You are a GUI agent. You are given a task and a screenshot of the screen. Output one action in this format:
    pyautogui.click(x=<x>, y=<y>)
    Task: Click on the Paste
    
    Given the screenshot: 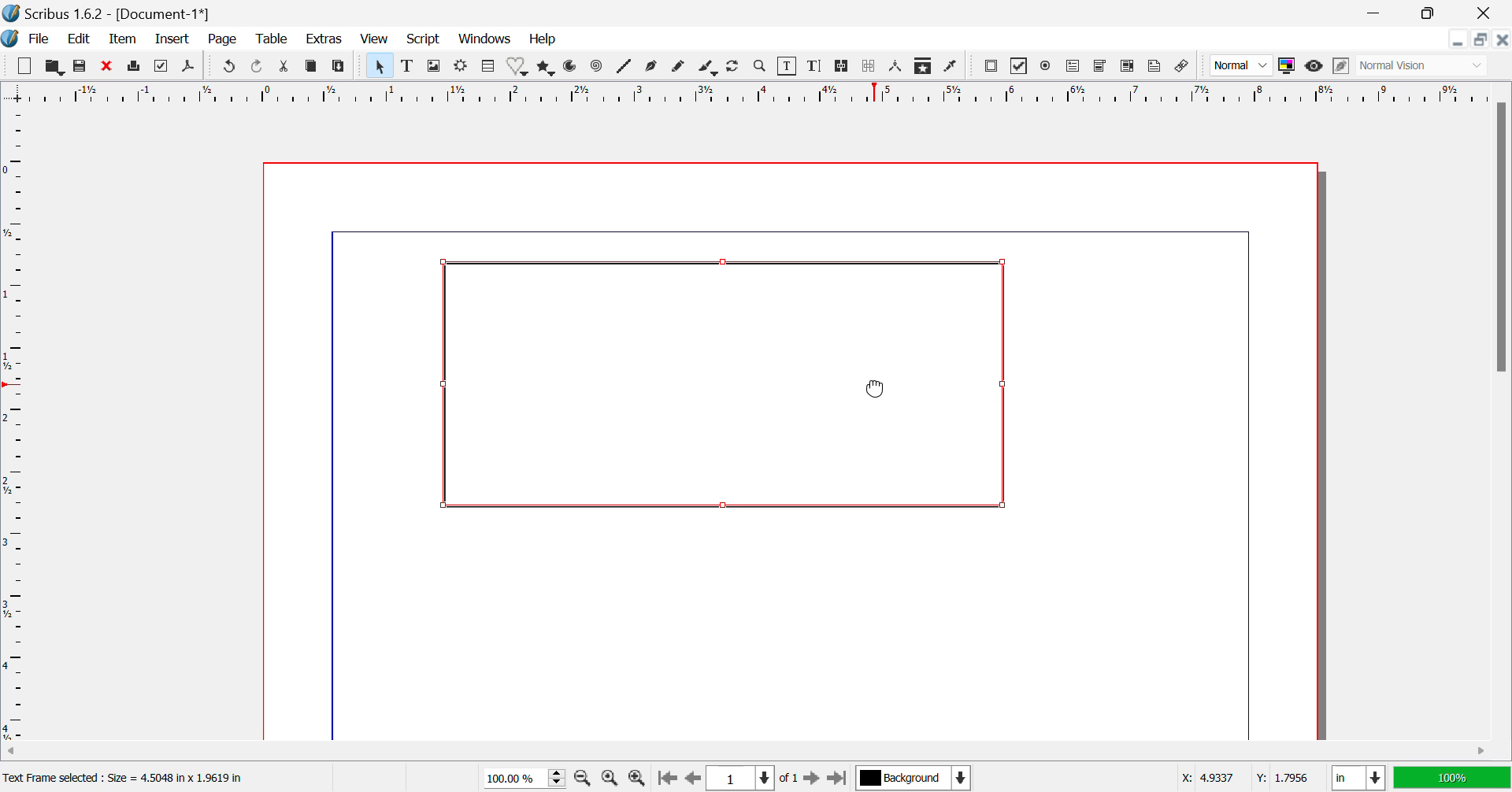 What is the action you would take?
    pyautogui.click(x=339, y=68)
    